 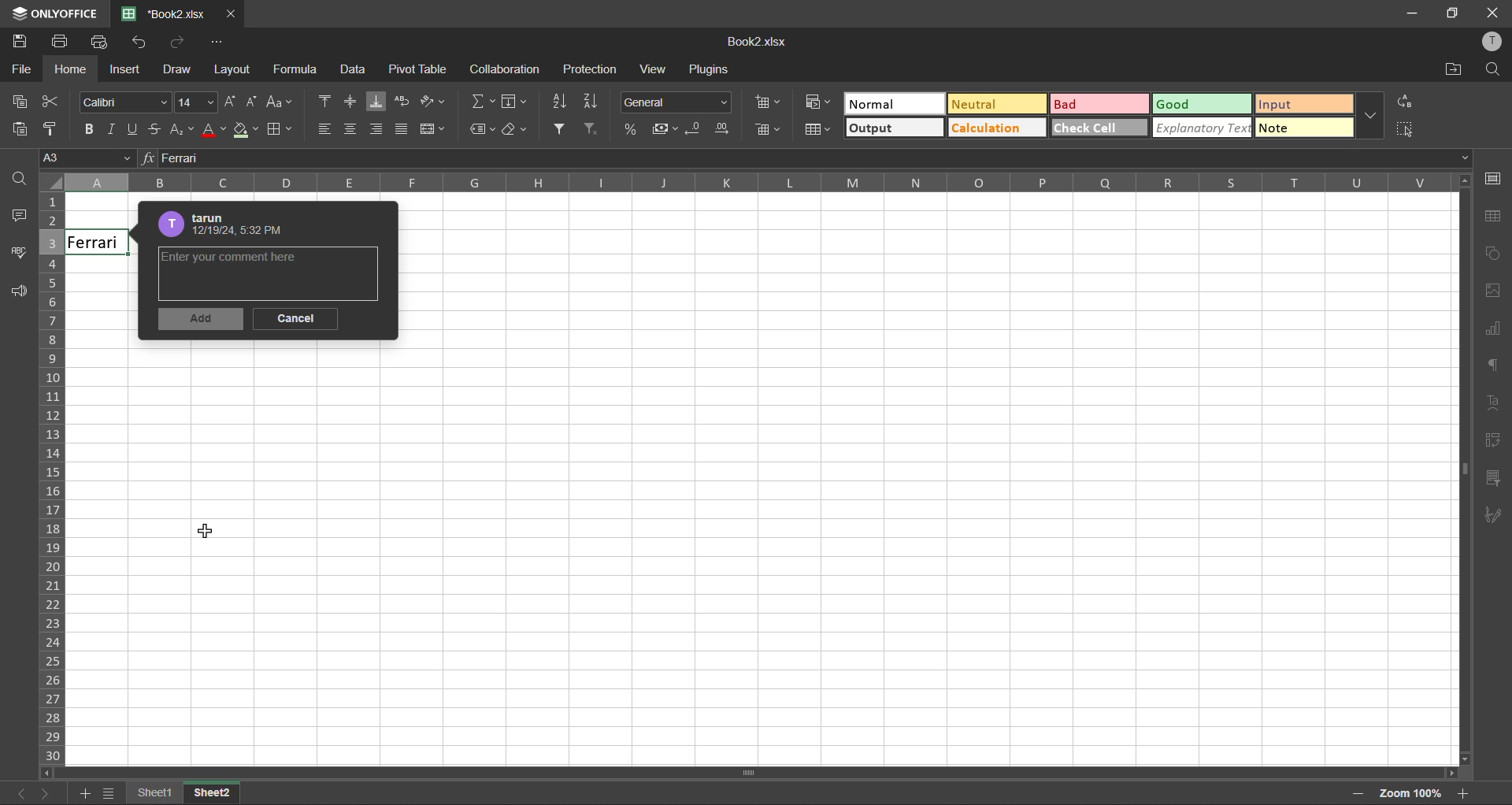 I want to click on sub/superscript, so click(x=183, y=131).